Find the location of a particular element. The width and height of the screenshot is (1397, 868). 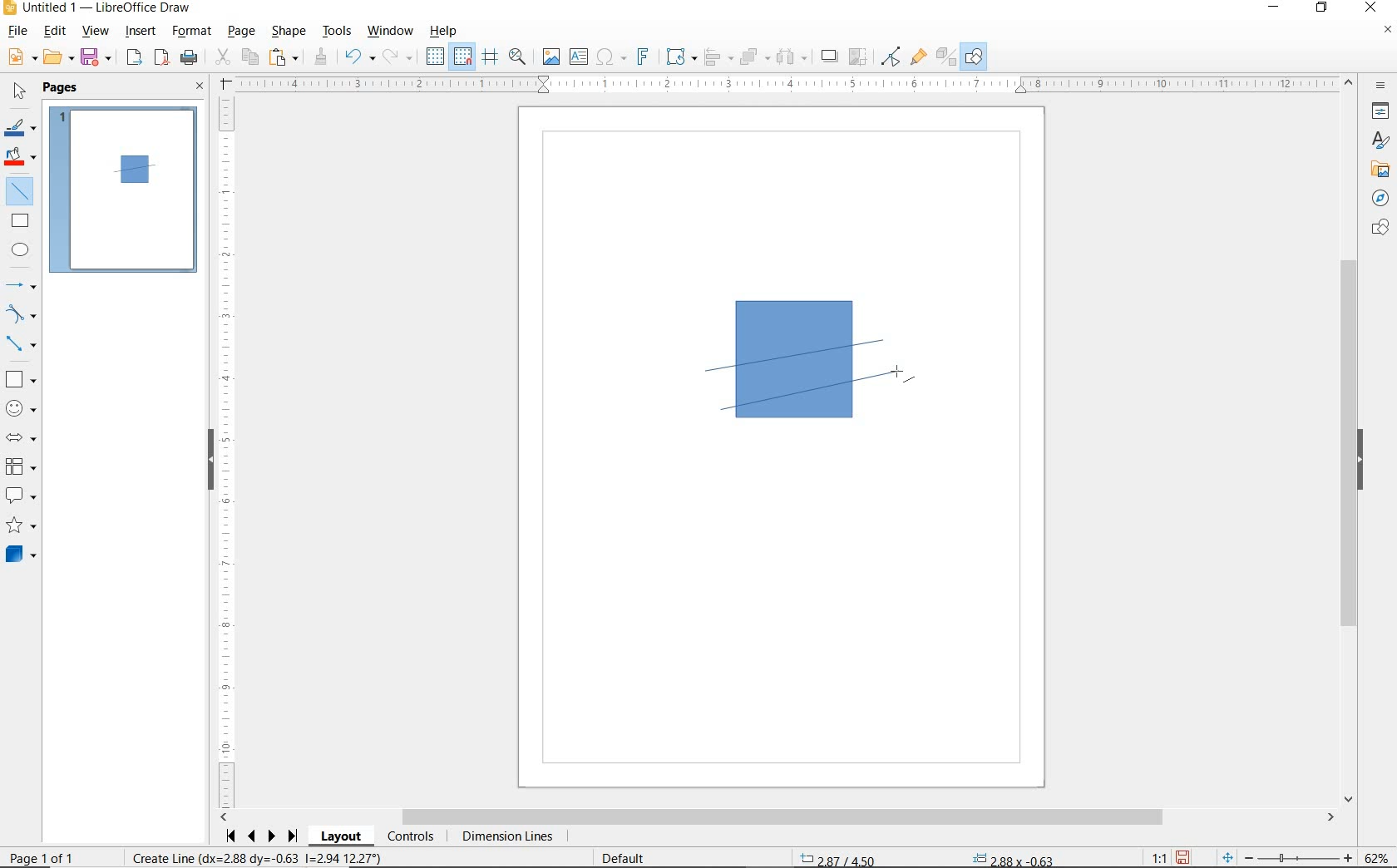

INSERT FRONTWORK TEXT is located at coordinates (642, 57).